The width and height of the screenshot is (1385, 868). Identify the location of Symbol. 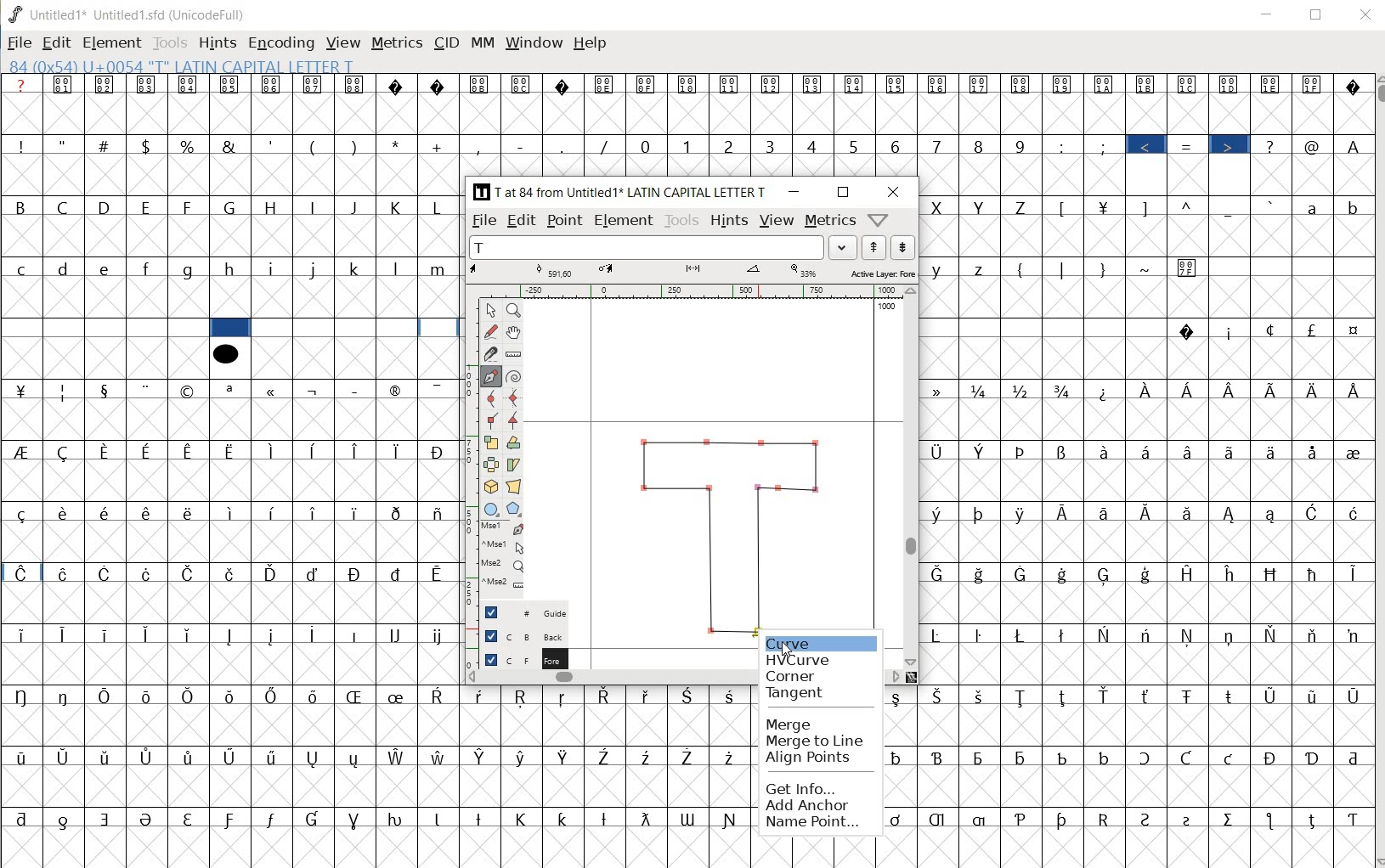
(982, 513).